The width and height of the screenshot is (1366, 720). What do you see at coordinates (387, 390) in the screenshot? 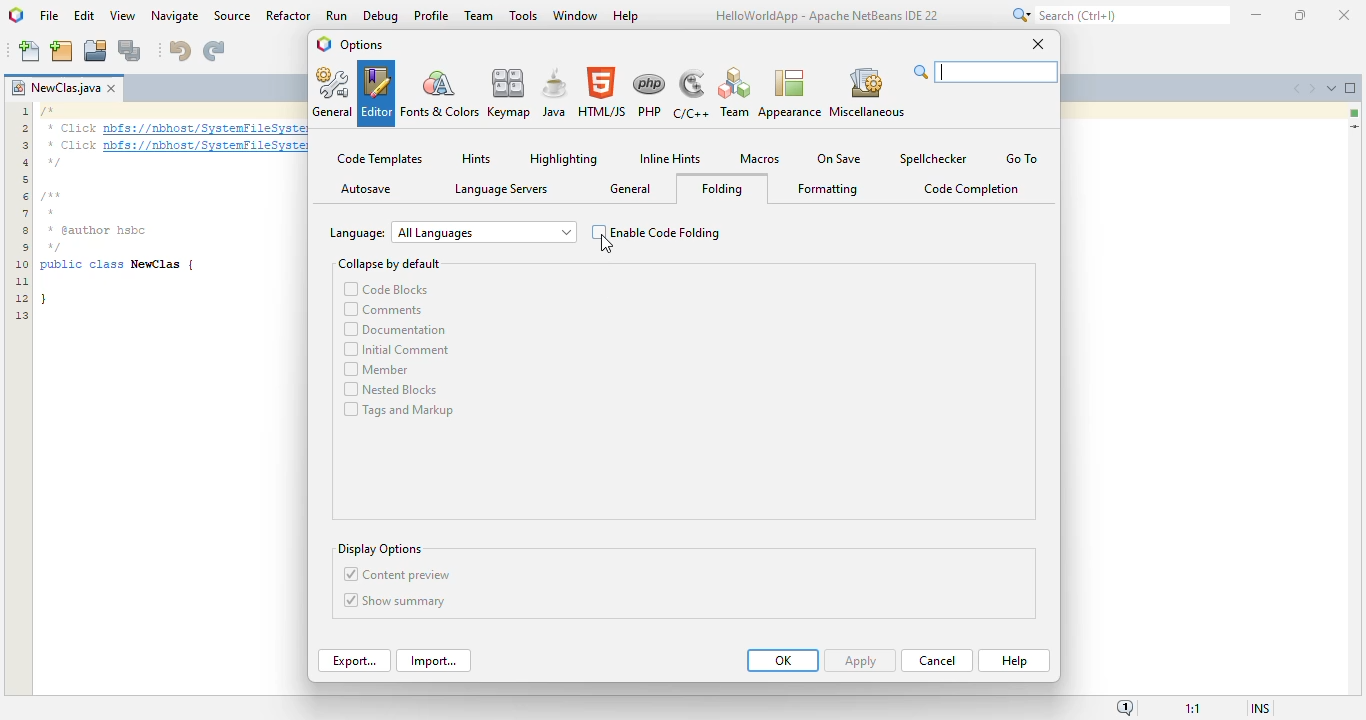
I see `nested blocks` at bounding box center [387, 390].